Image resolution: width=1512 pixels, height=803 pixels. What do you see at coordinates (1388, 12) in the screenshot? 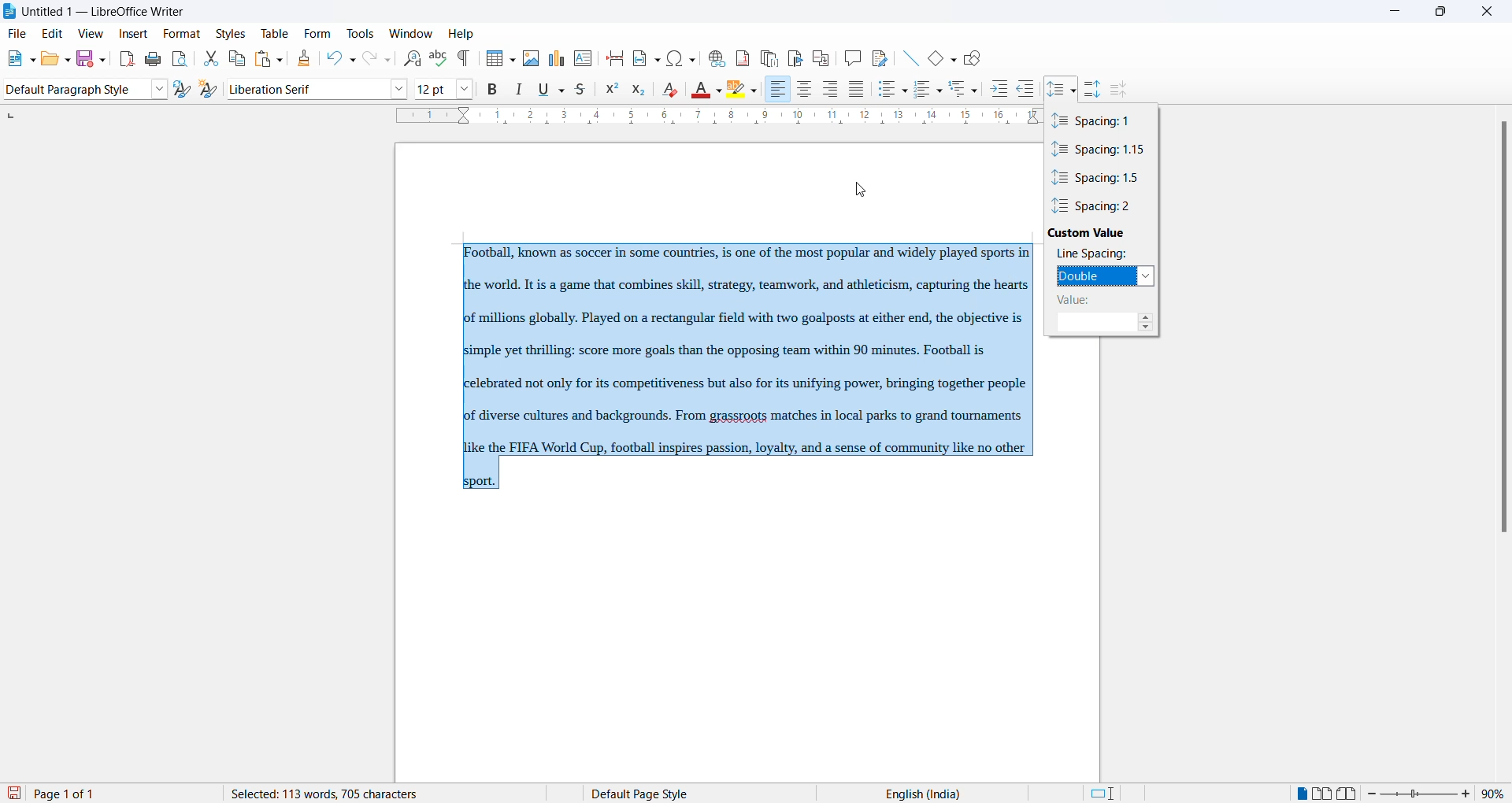
I see `minimize` at bounding box center [1388, 12].